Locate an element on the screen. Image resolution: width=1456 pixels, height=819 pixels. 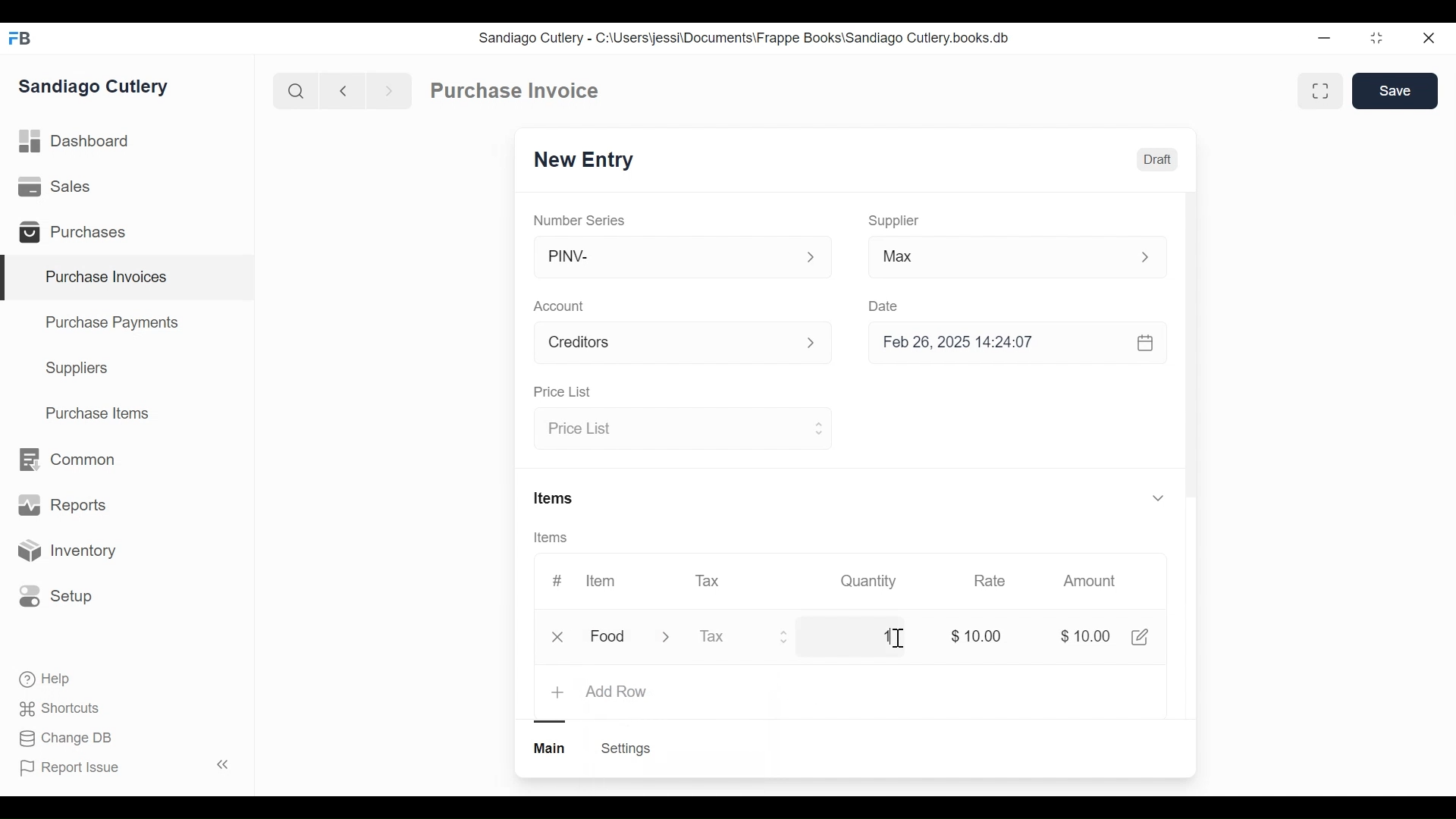
Date is located at coordinates (884, 306).